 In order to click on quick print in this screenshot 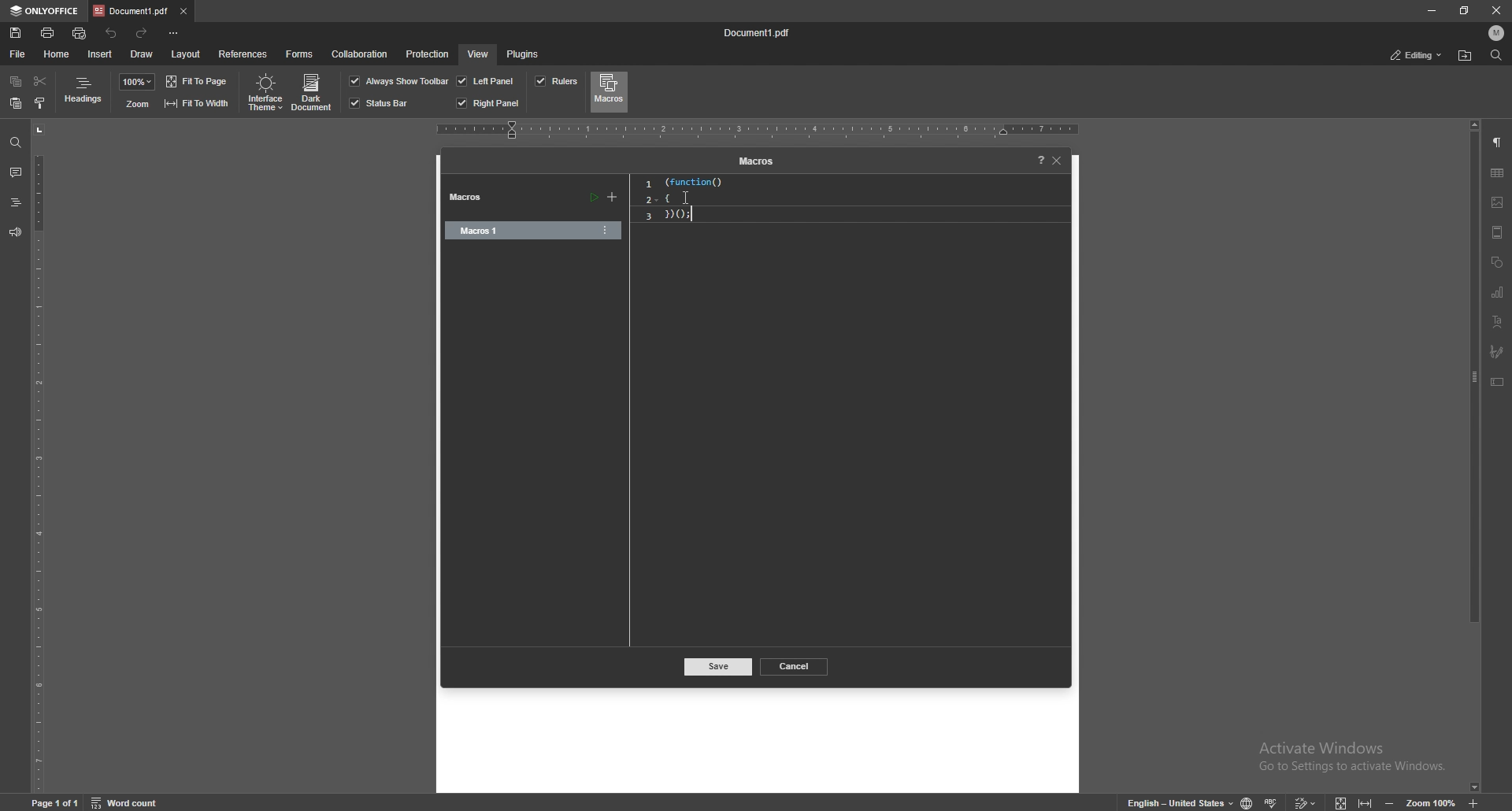, I will do `click(81, 33)`.